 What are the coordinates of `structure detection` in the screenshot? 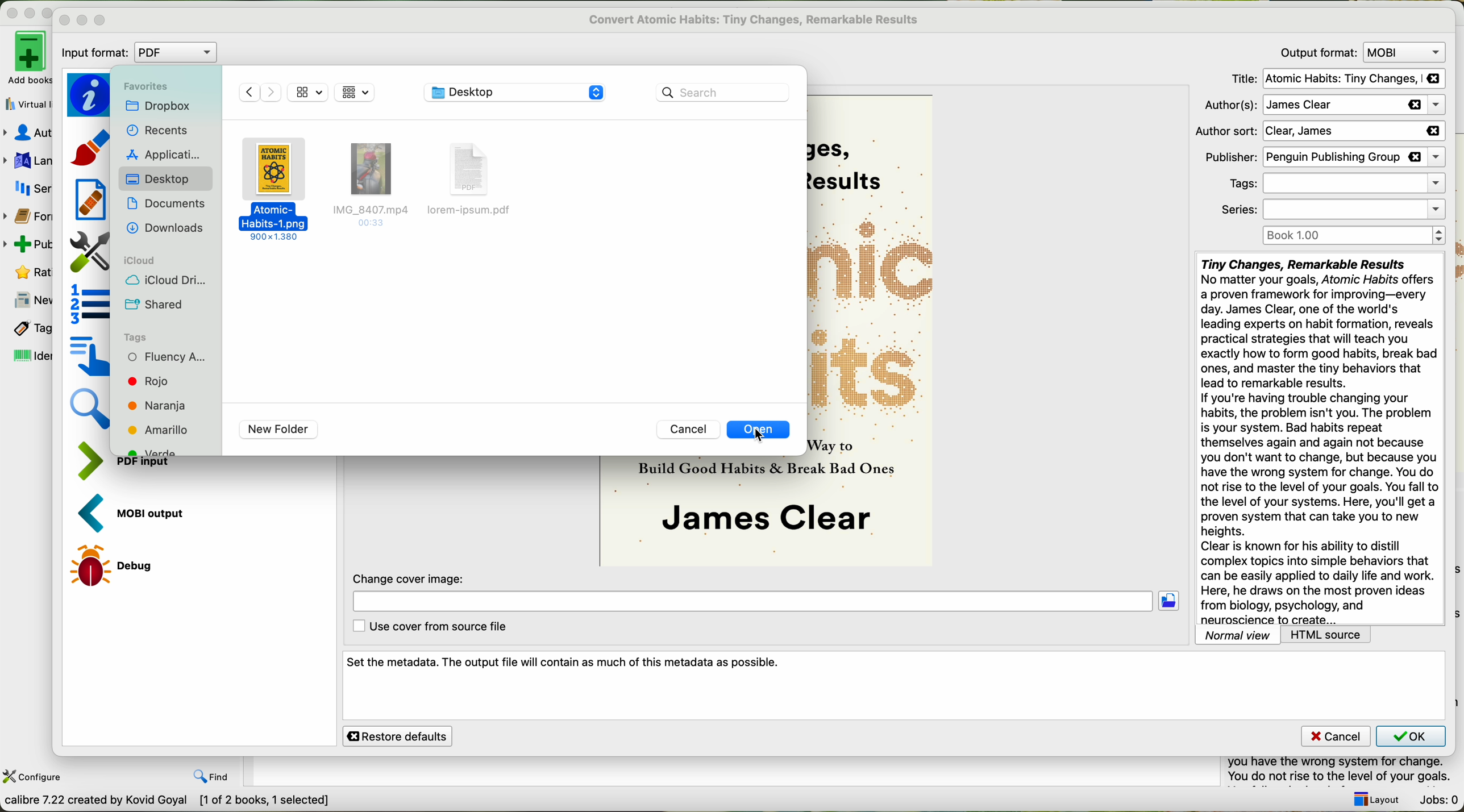 It's located at (90, 303).